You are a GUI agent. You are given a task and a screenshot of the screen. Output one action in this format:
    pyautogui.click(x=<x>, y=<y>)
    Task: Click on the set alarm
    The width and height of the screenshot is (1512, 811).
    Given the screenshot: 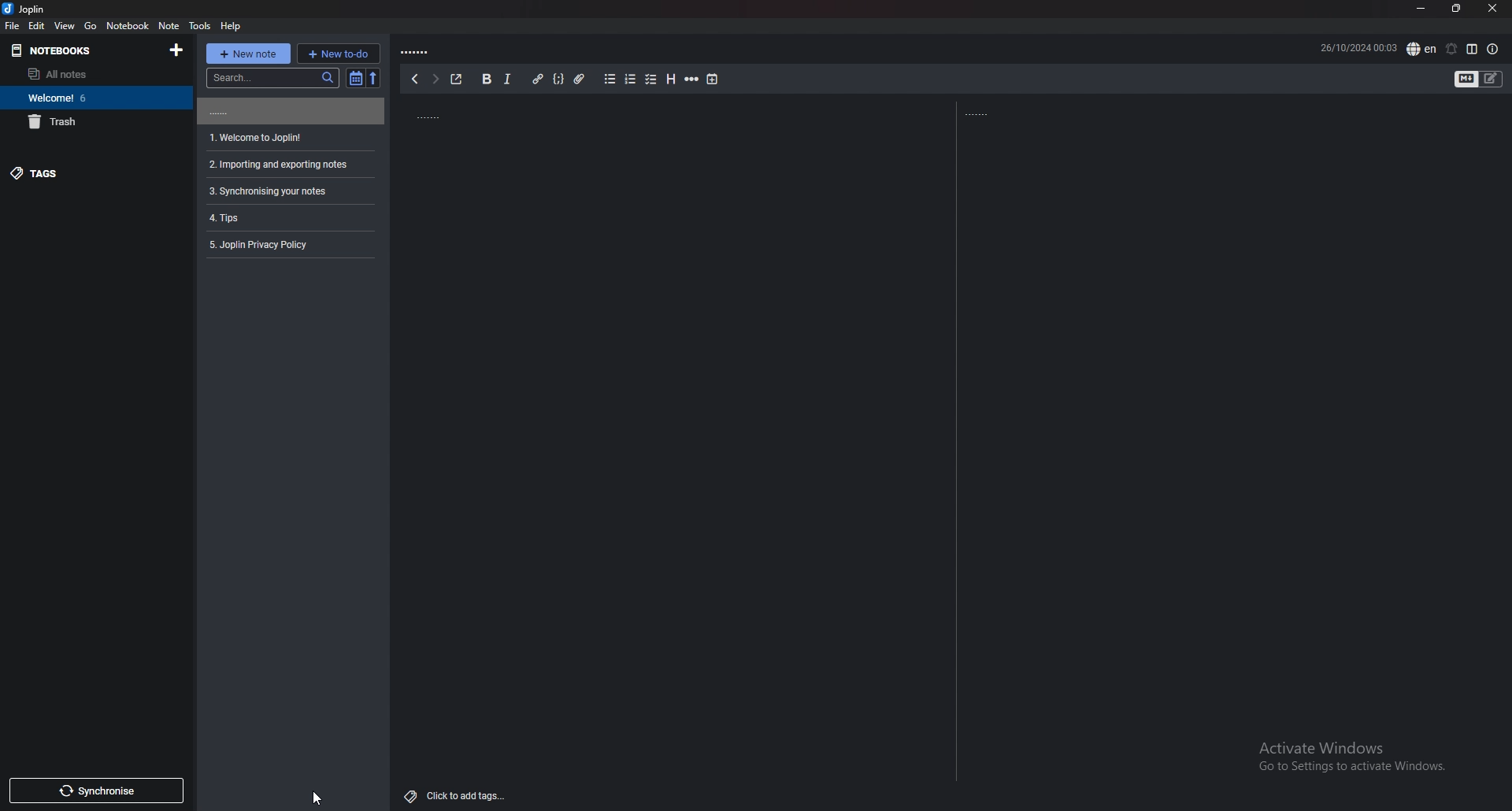 What is the action you would take?
    pyautogui.click(x=1452, y=48)
    